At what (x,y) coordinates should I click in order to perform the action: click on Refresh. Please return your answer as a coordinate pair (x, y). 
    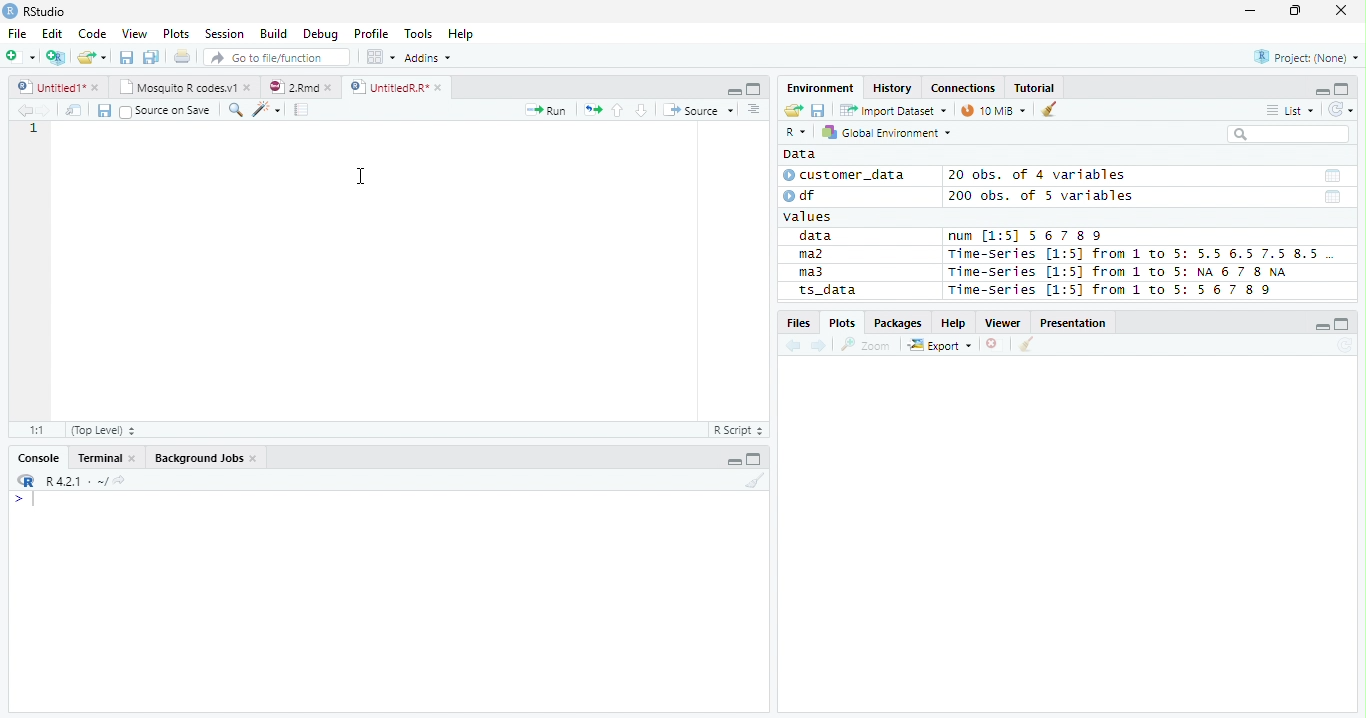
    Looking at the image, I should click on (1341, 107).